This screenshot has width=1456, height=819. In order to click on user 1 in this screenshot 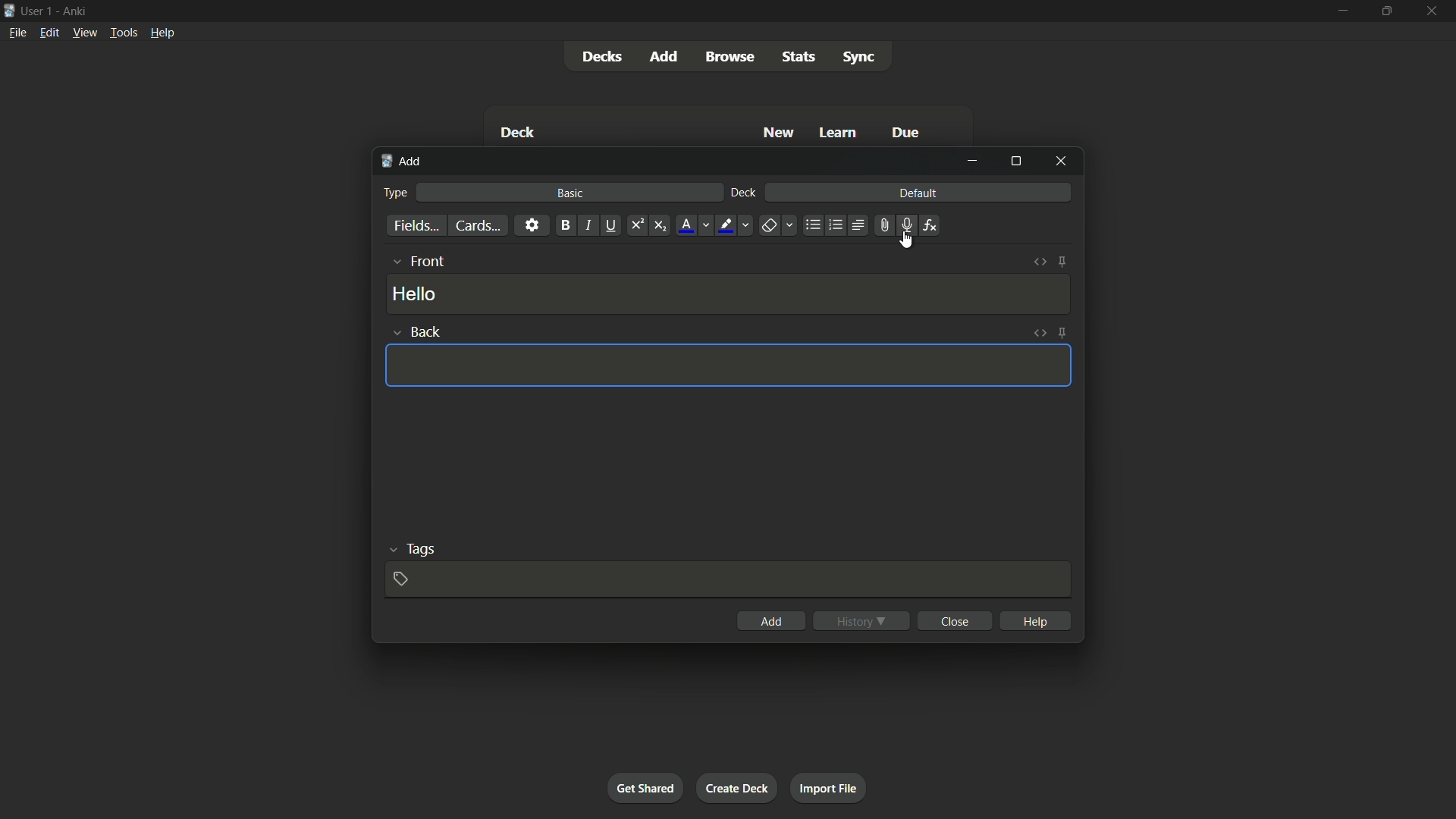, I will do `click(39, 11)`.